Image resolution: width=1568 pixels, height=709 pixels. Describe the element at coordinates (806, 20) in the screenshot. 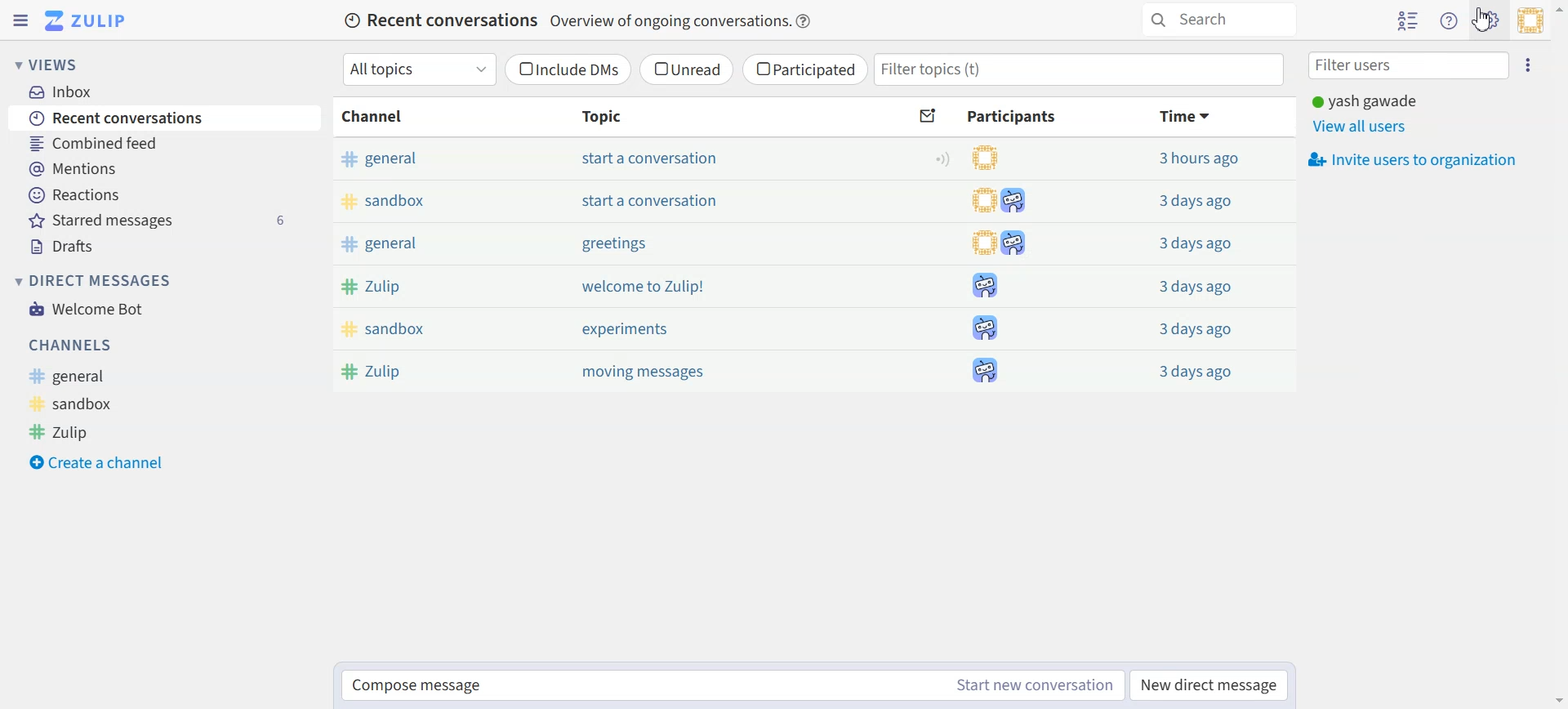

I see `Info` at that location.